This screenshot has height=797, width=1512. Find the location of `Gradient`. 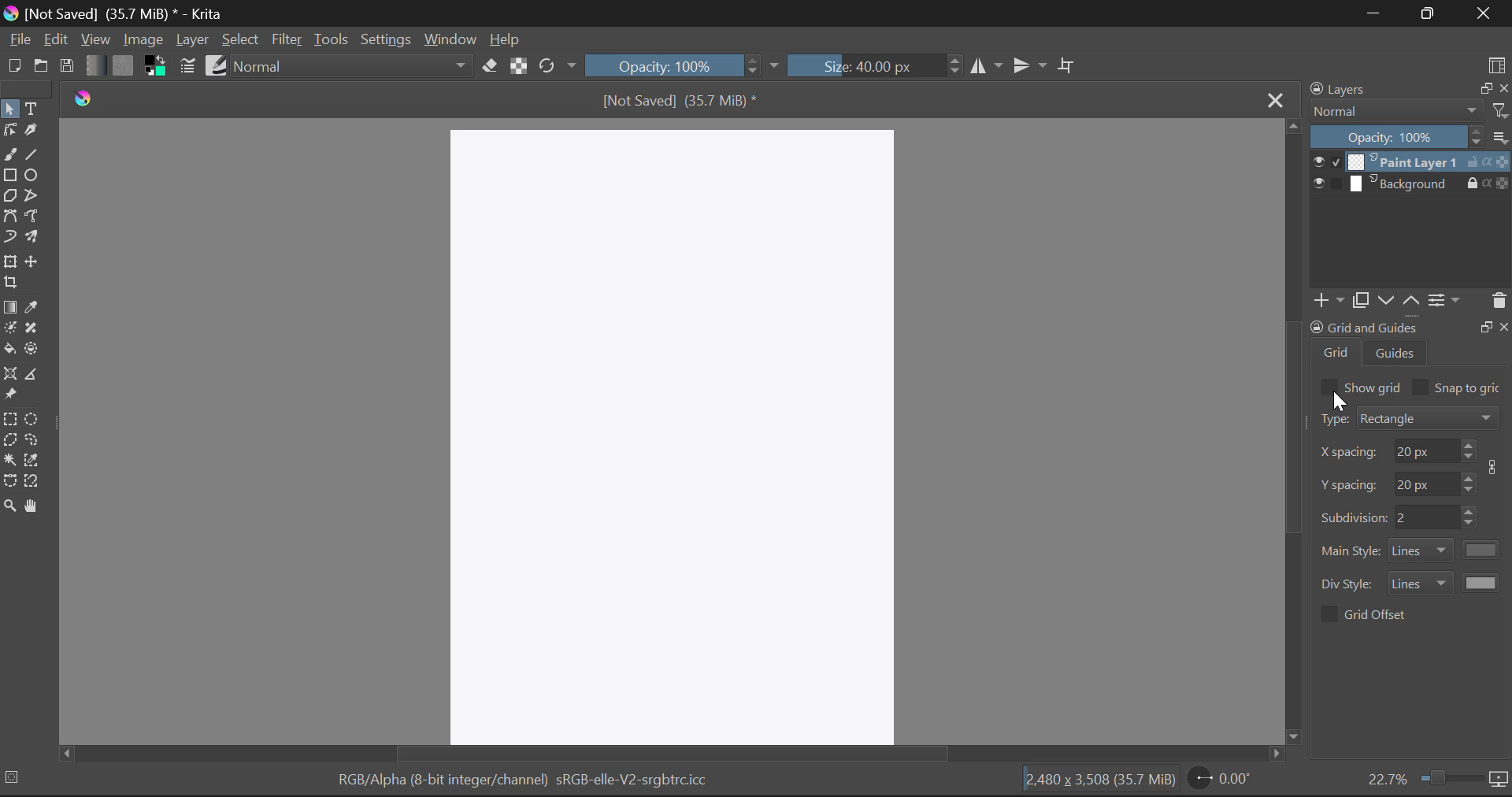

Gradient is located at coordinates (94, 64).